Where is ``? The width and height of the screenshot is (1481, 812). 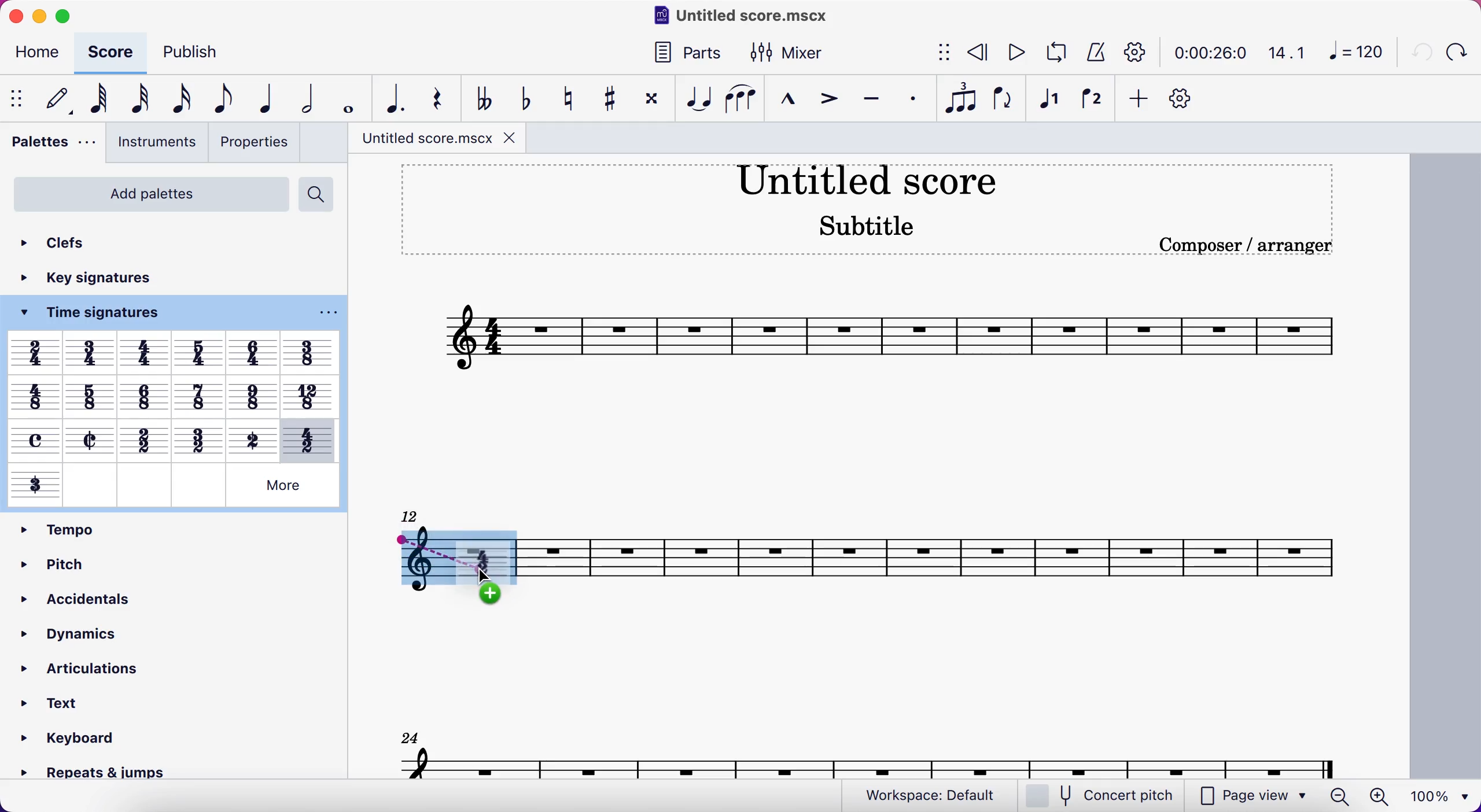
 is located at coordinates (146, 352).